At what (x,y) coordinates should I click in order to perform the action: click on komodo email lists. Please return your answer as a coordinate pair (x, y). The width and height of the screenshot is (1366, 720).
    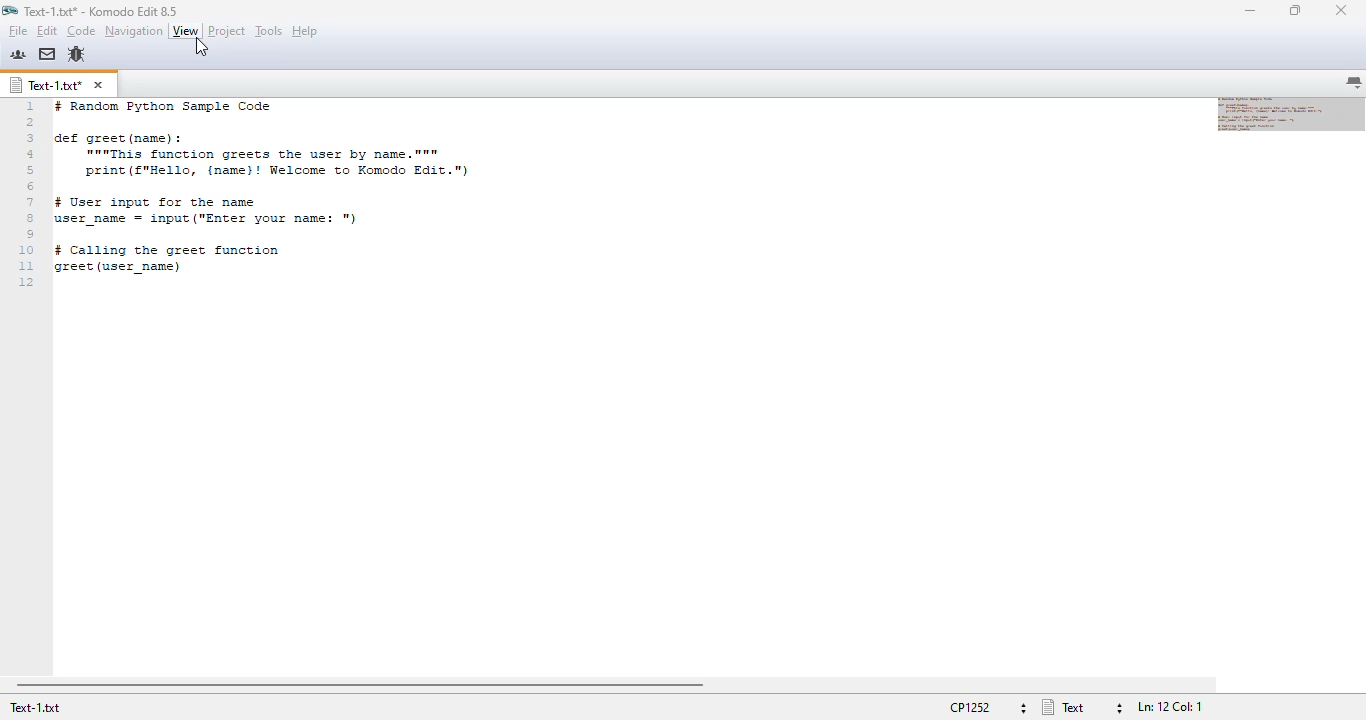
    Looking at the image, I should click on (47, 54).